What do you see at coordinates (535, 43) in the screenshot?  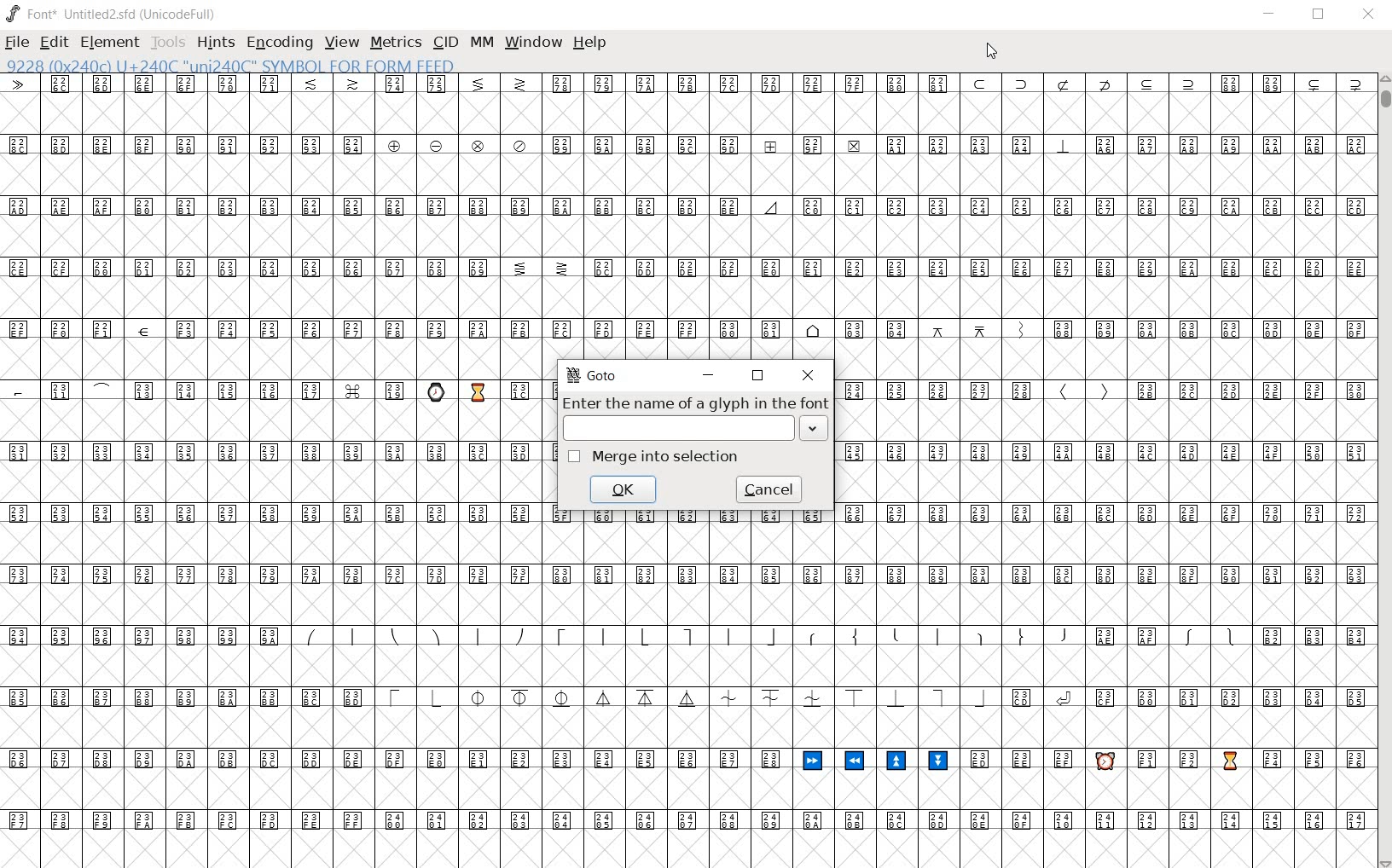 I see `window` at bounding box center [535, 43].